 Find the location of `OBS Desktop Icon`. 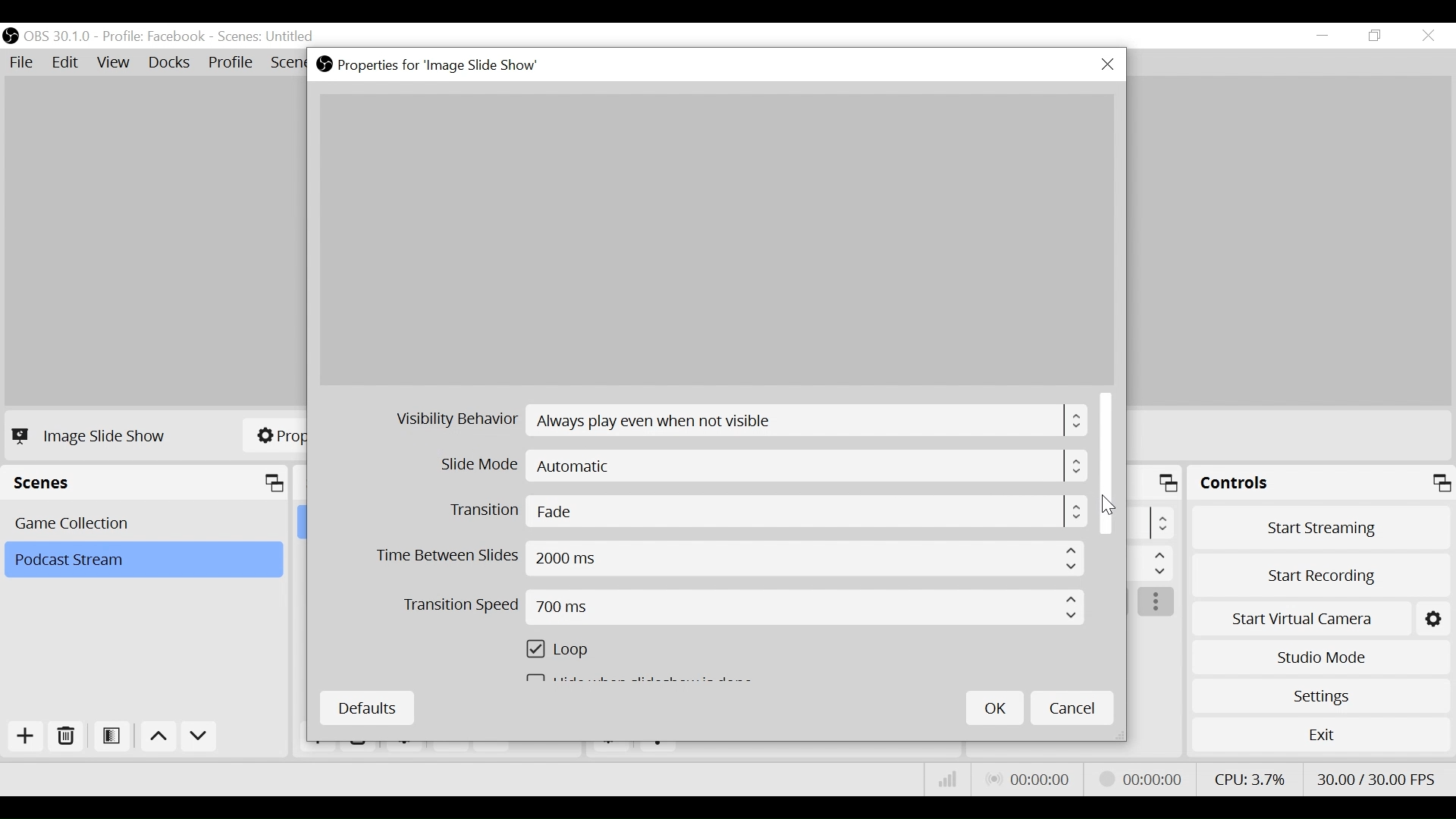

OBS Desktop Icon is located at coordinates (11, 36).